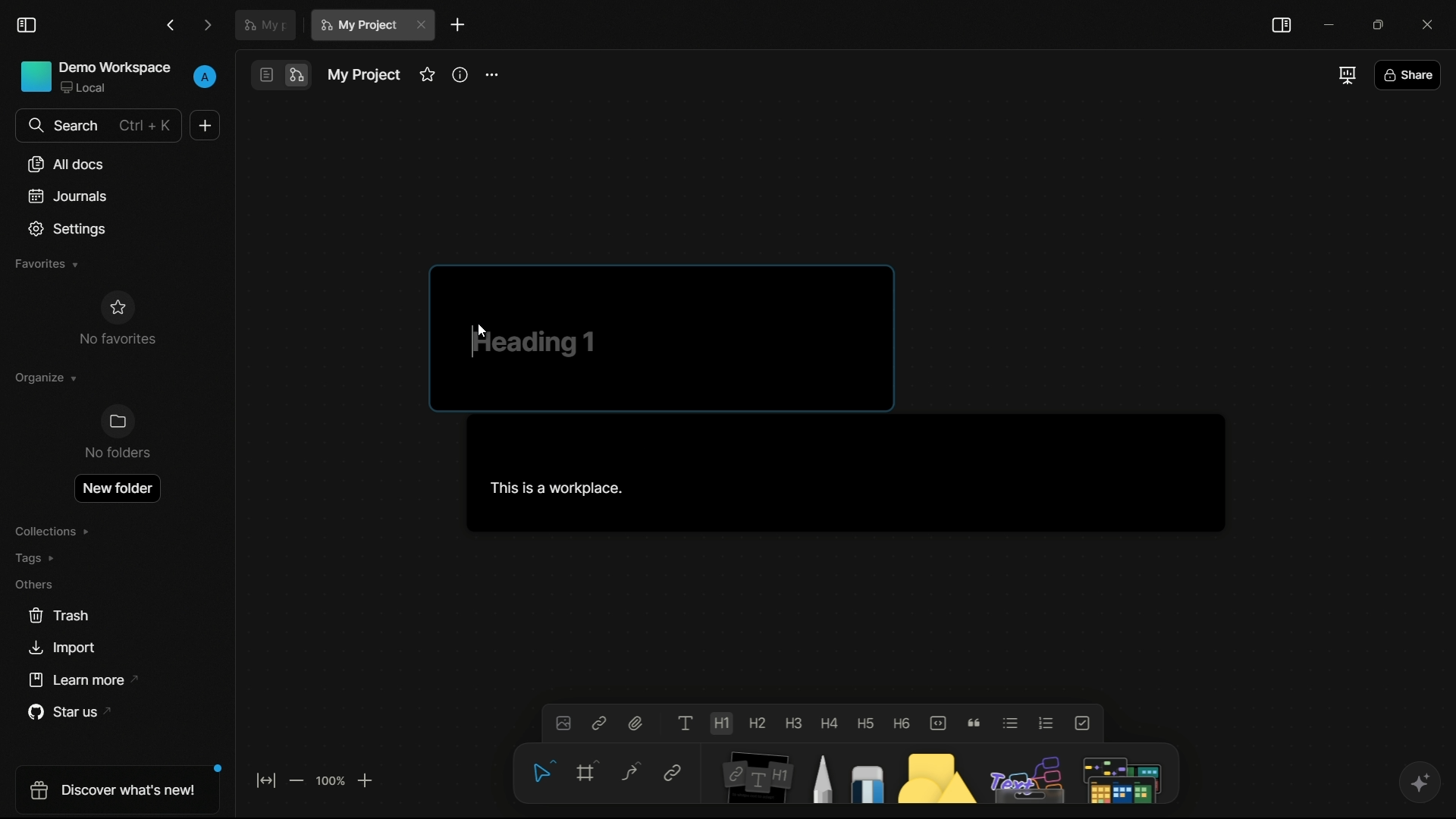 The height and width of the screenshot is (819, 1456). What do you see at coordinates (67, 196) in the screenshot?
I see `journals` at bounding box center [67, 196].